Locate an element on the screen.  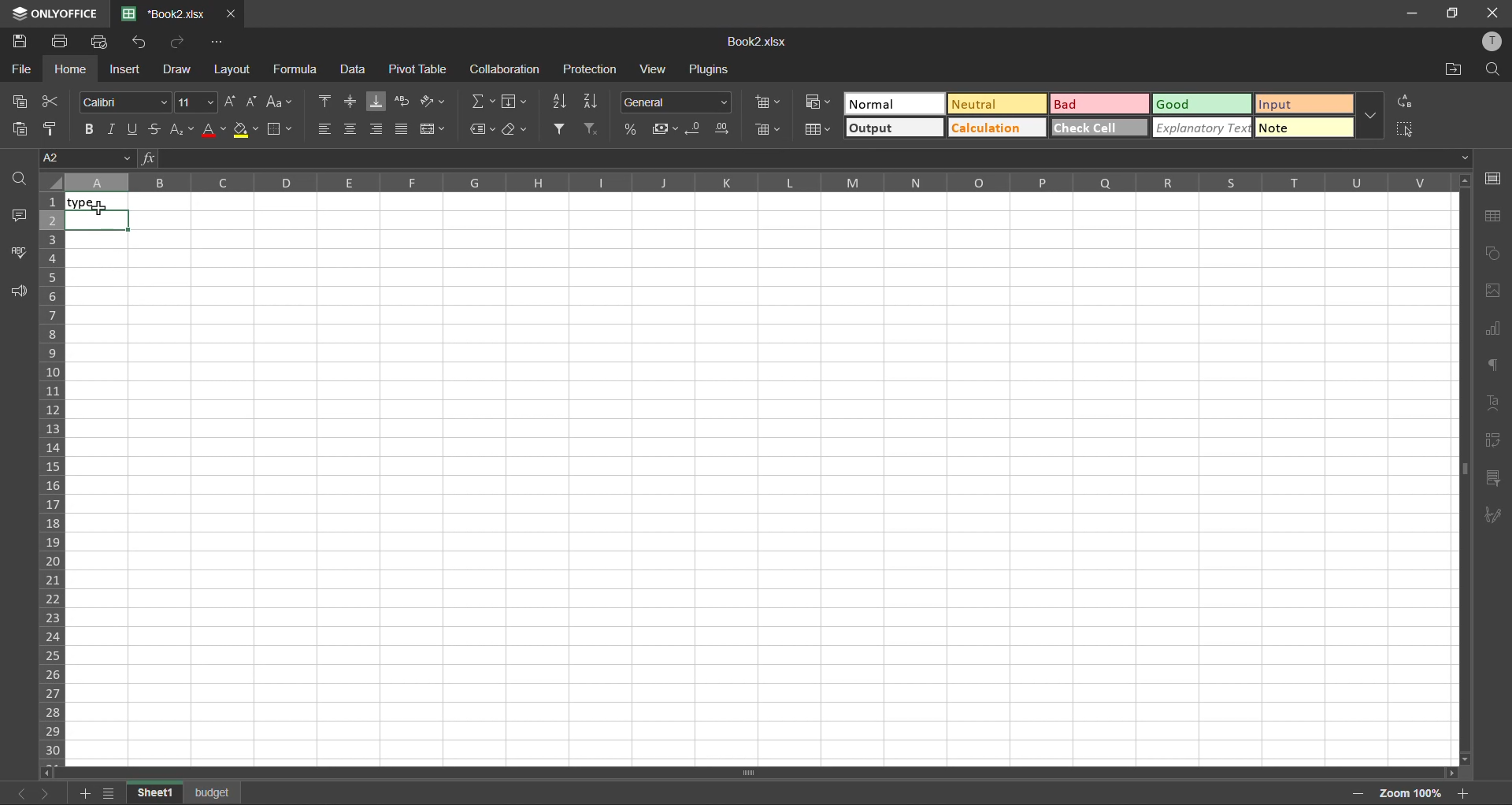
signature is located at coordinates (1493, 515).